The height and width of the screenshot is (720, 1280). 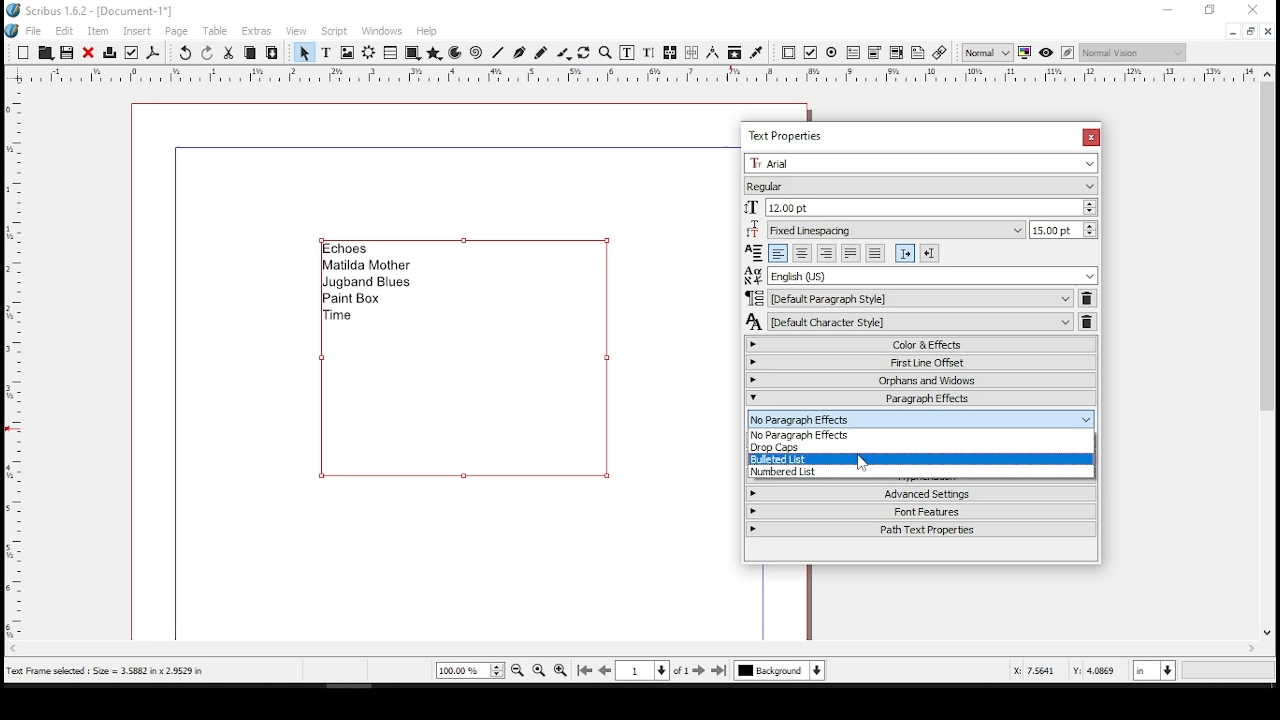 What do you see at coordinates (921, 344) in the screenshot?
I see `color and effects` at bounding box center [921, 344].